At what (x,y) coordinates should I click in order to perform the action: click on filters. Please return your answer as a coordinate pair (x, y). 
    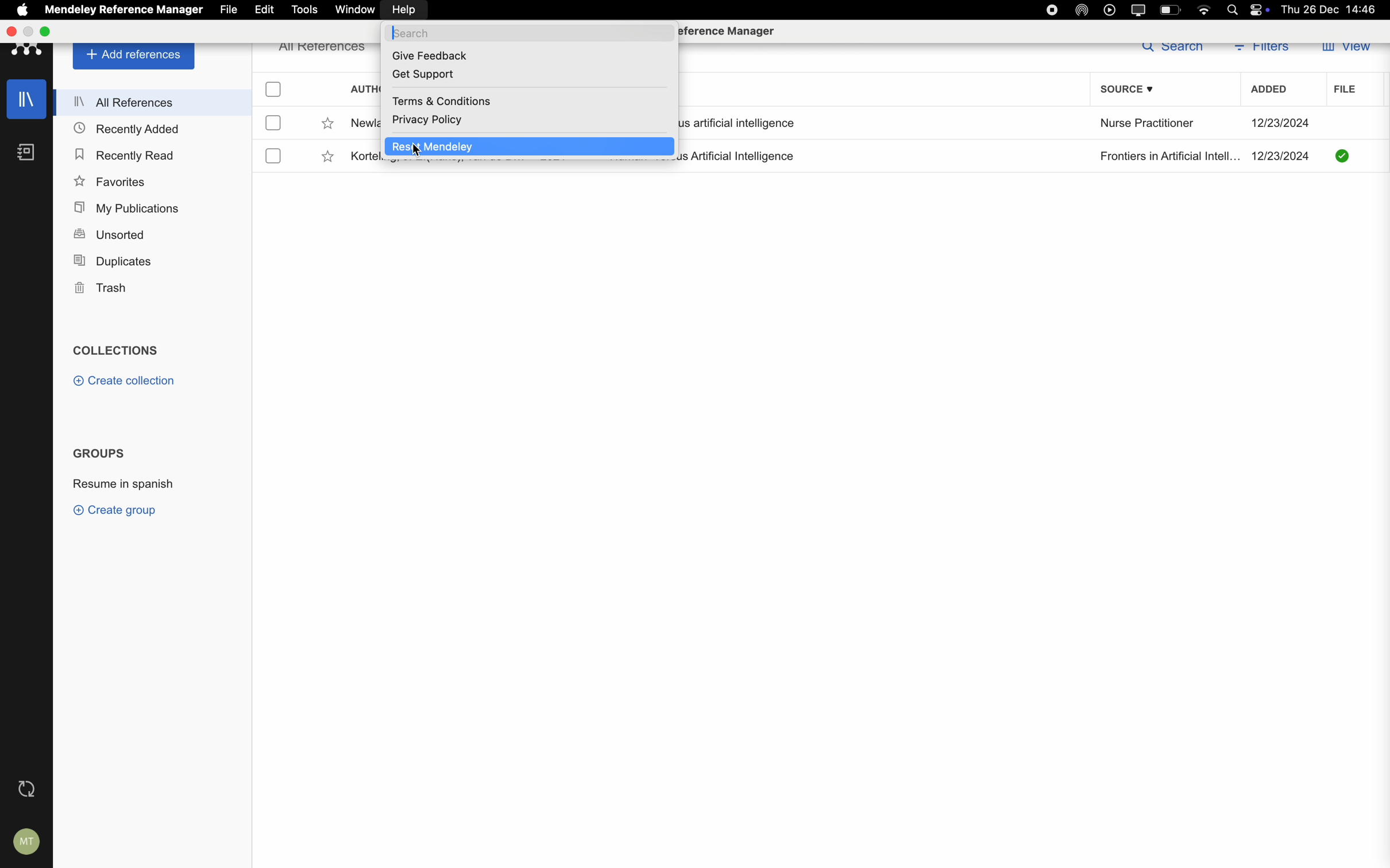
    Looking at the image, I should click on (1267, 51).